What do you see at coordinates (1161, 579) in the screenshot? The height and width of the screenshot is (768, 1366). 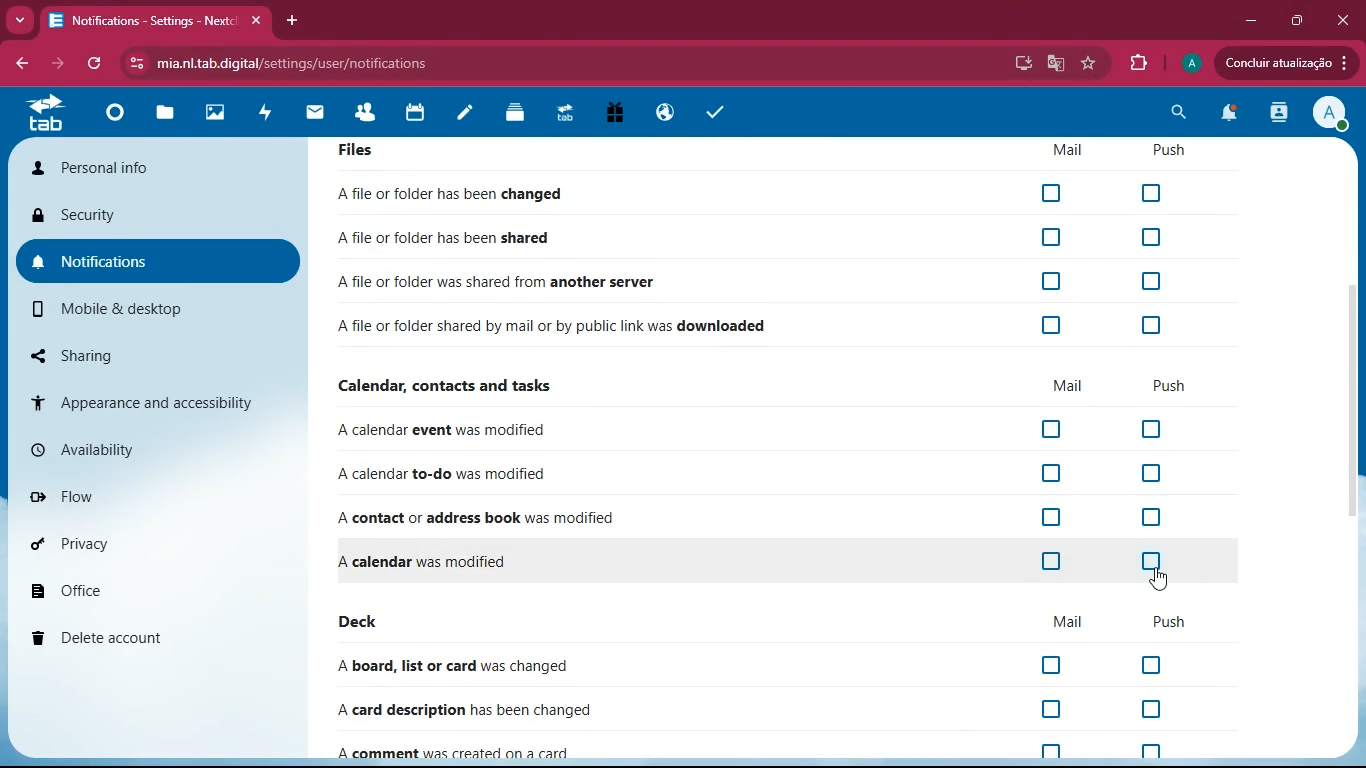 I see `cursor` at bounding box center [1161, 579].